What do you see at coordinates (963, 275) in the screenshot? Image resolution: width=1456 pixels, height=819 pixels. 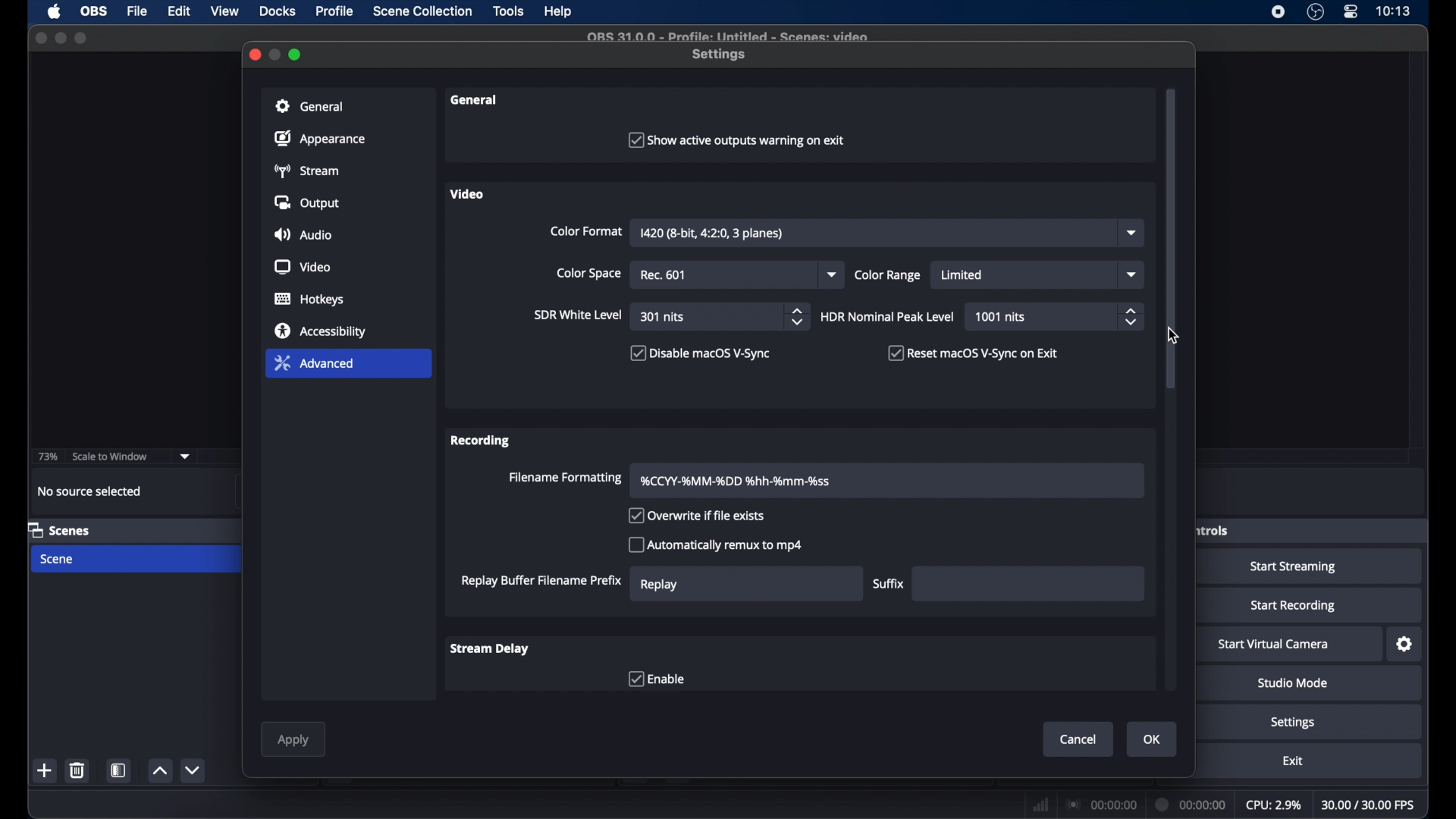 I see `limited` at bounding box center [963, 275].